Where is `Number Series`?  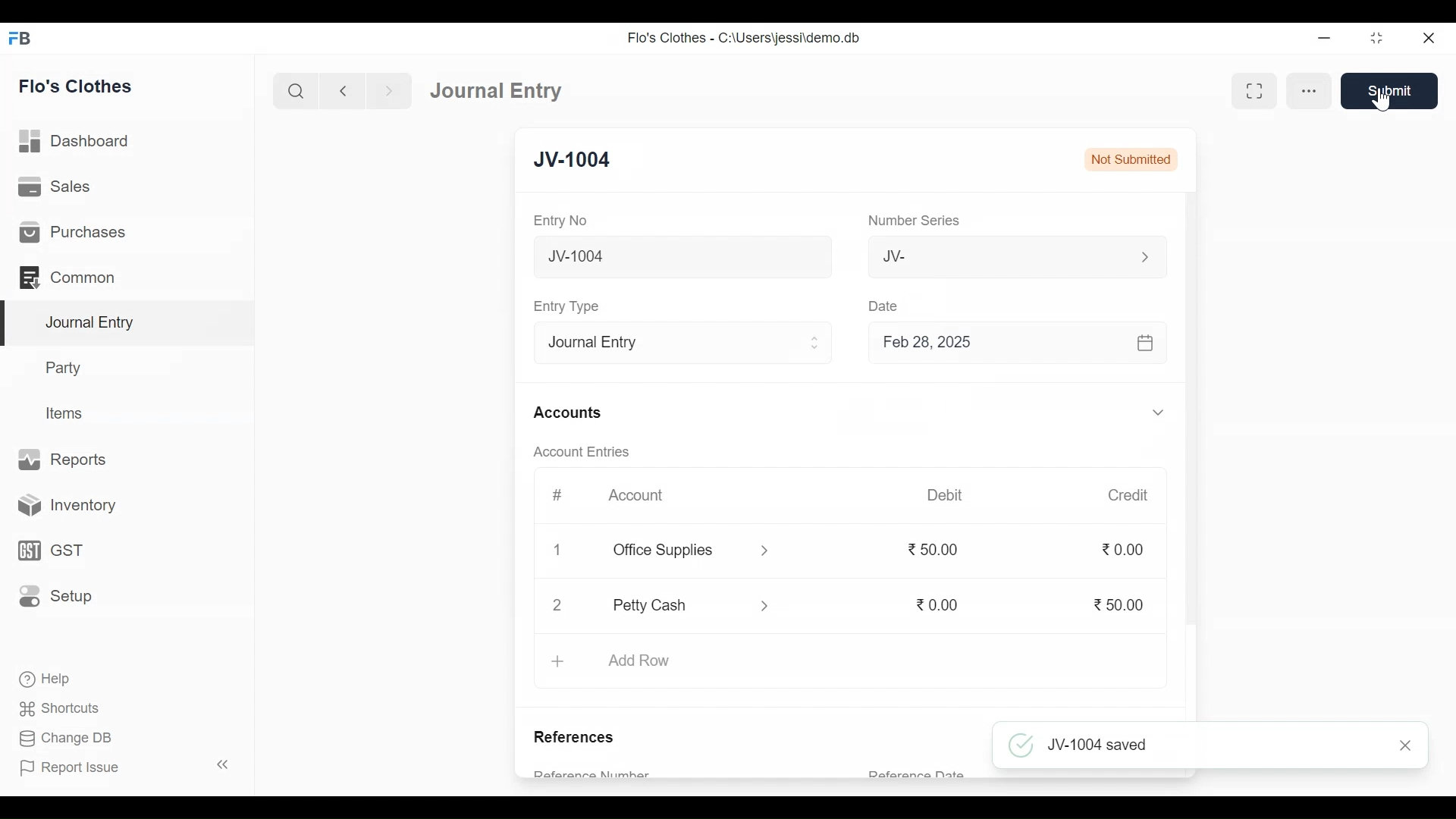 Number Series is located at coordinates (915, 221).